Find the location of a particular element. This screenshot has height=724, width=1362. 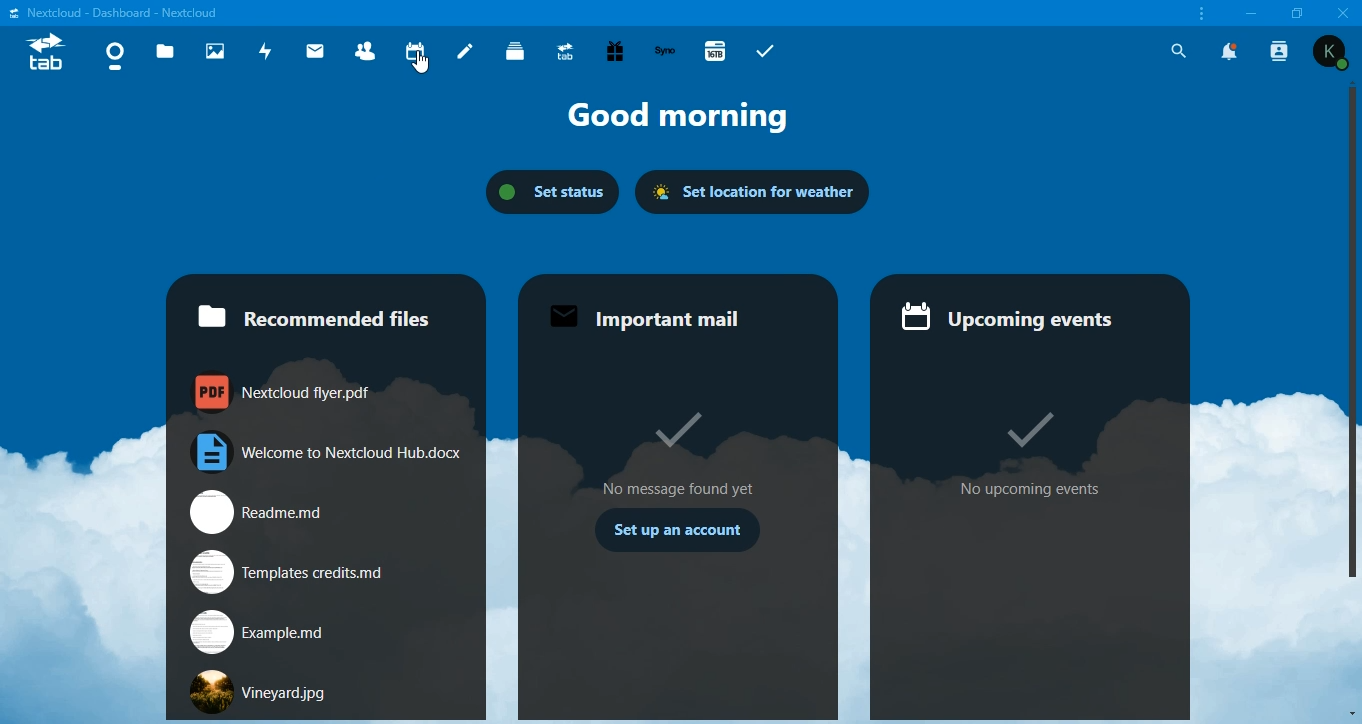

recommended files is located at coordinates (322, 307).